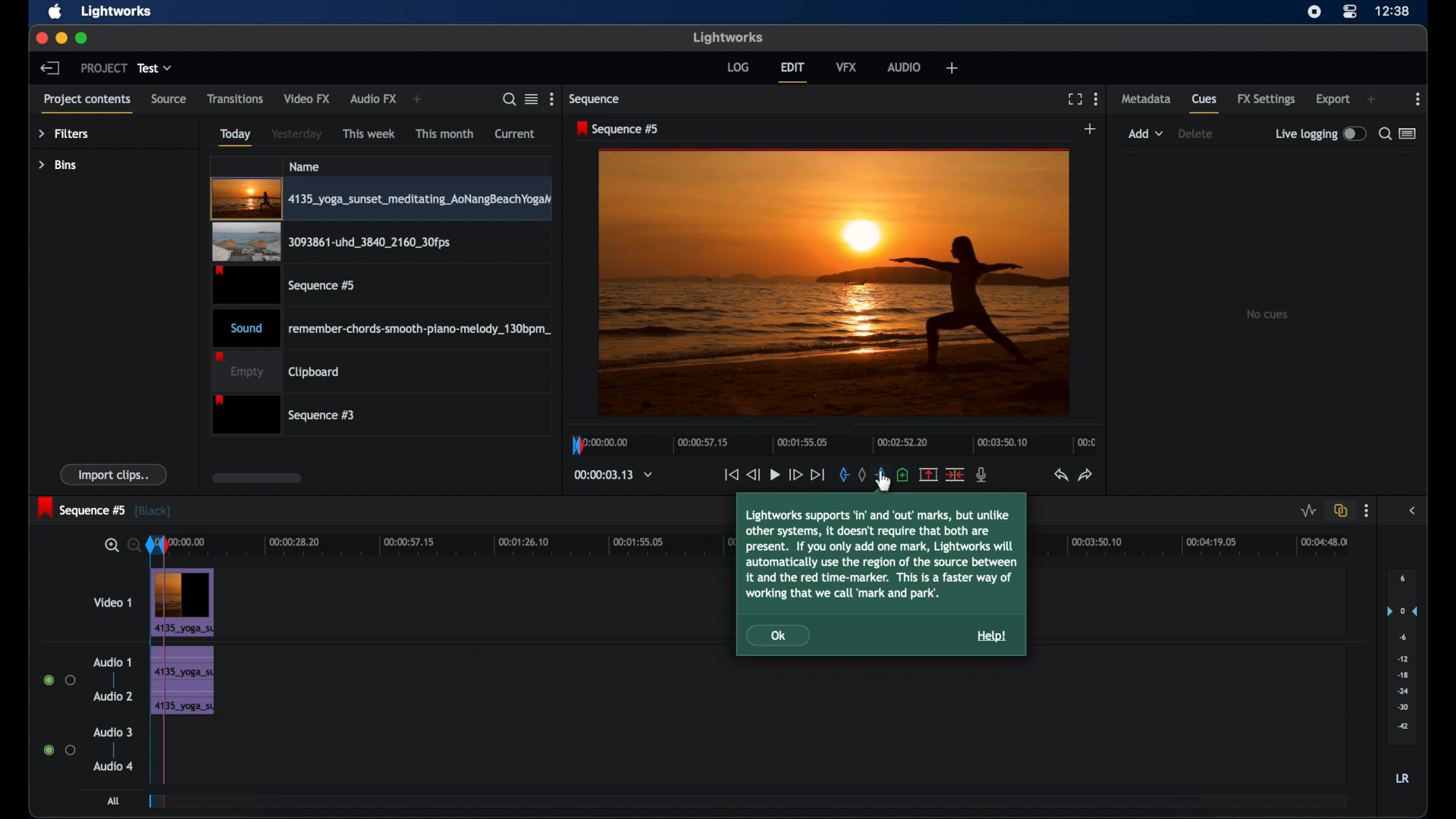 Image resolution: width=1456 pixels, height=819 pixels. I want to click on audio clip, so click(381, 328).